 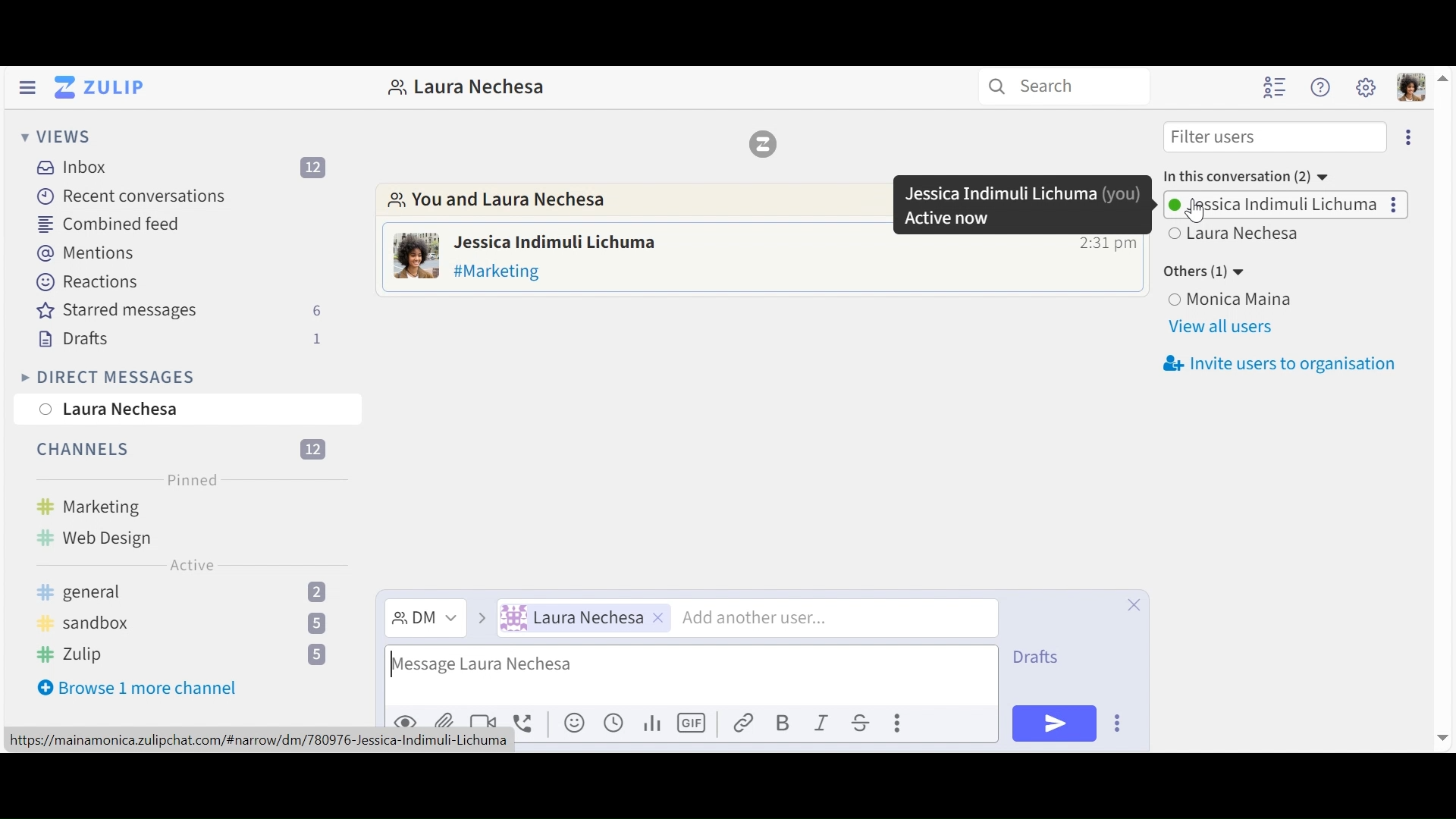 What do you see at coordinates (583, 618) in the screenshot?
I see `User` at bounding box center [583, 618].